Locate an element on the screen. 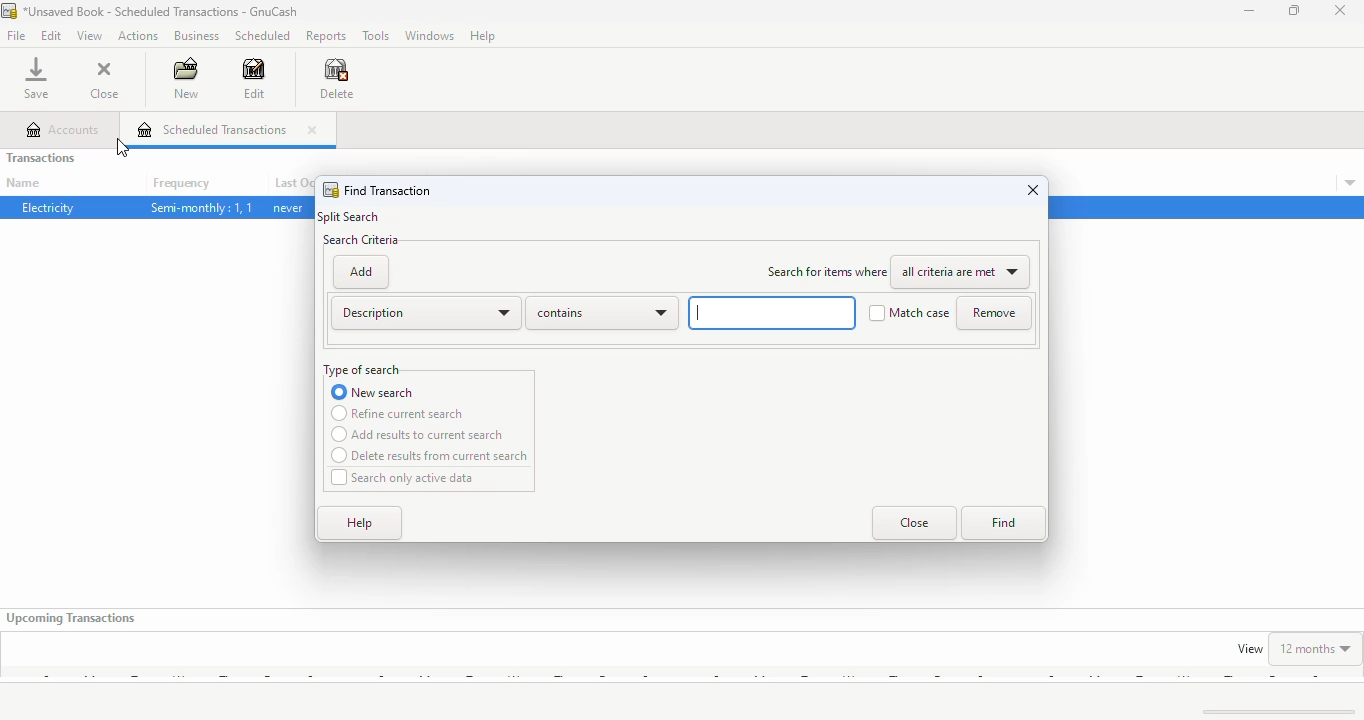  delete is located at coordinates (336, 79).